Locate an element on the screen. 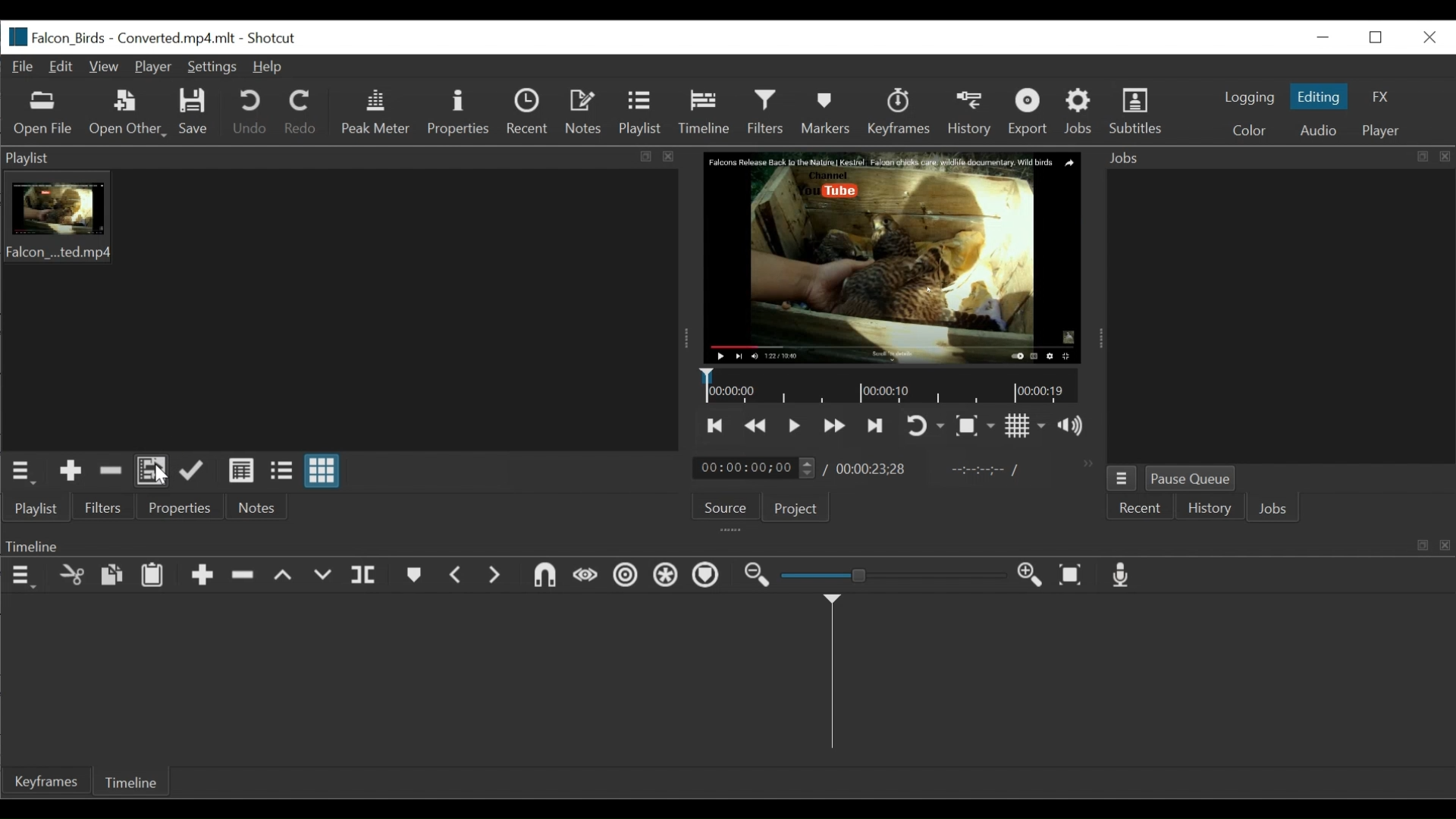  Pause Queue is located at coordinates (1198, 479).